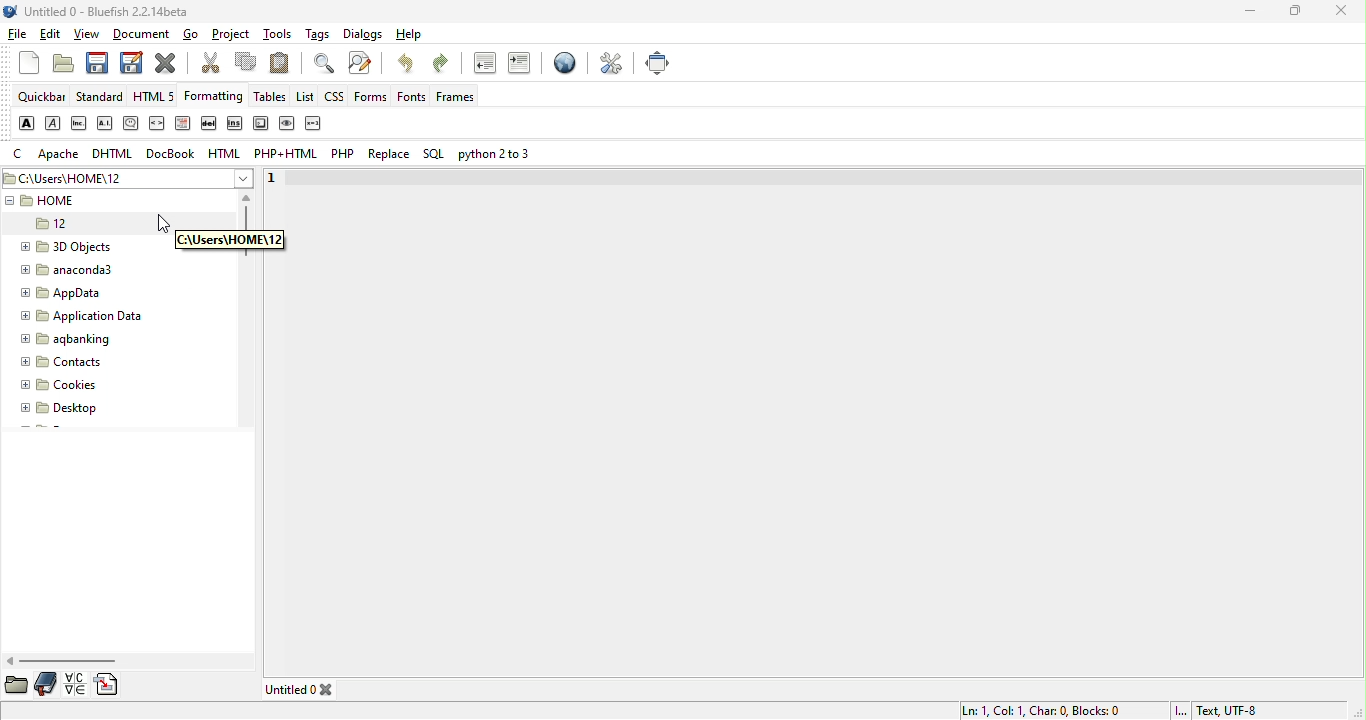  What do you see at coordinates (23, 64) in the screenshot?
I see `new` at bounding box center [23, 64].